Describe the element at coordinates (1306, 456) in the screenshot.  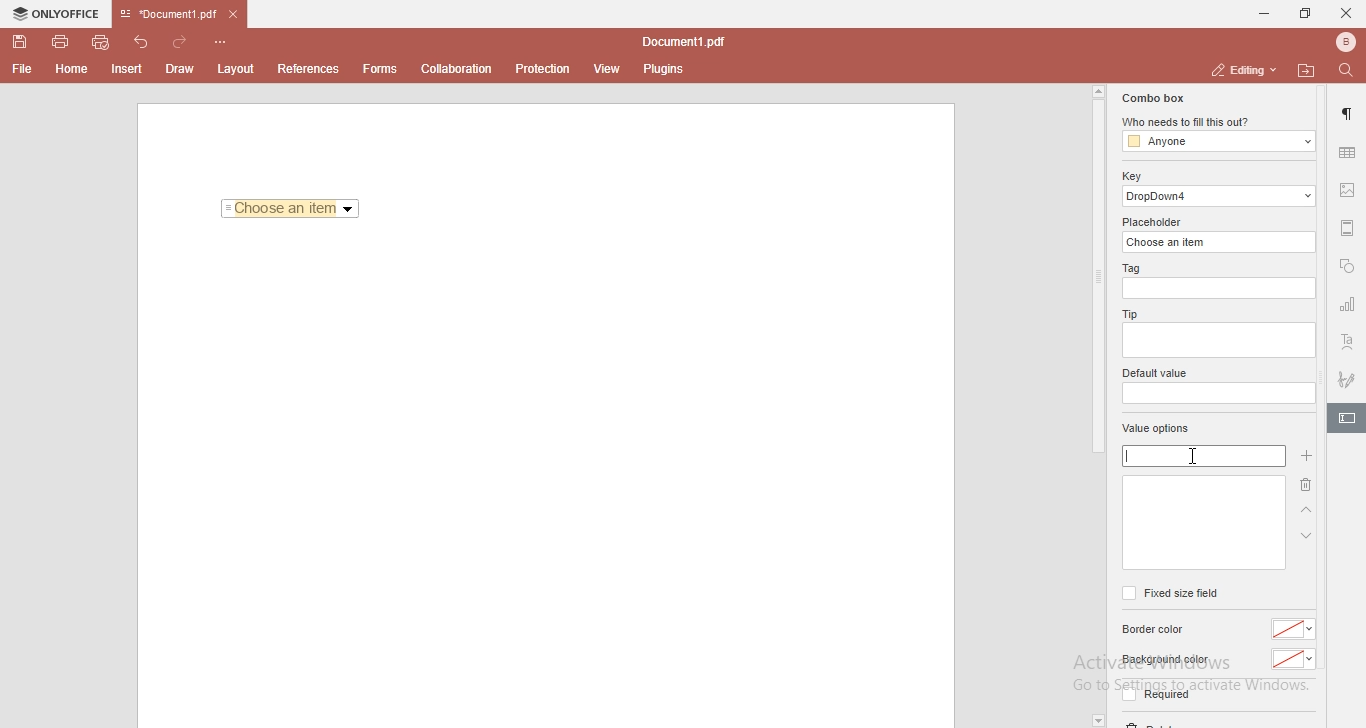
I see `add` at that location.